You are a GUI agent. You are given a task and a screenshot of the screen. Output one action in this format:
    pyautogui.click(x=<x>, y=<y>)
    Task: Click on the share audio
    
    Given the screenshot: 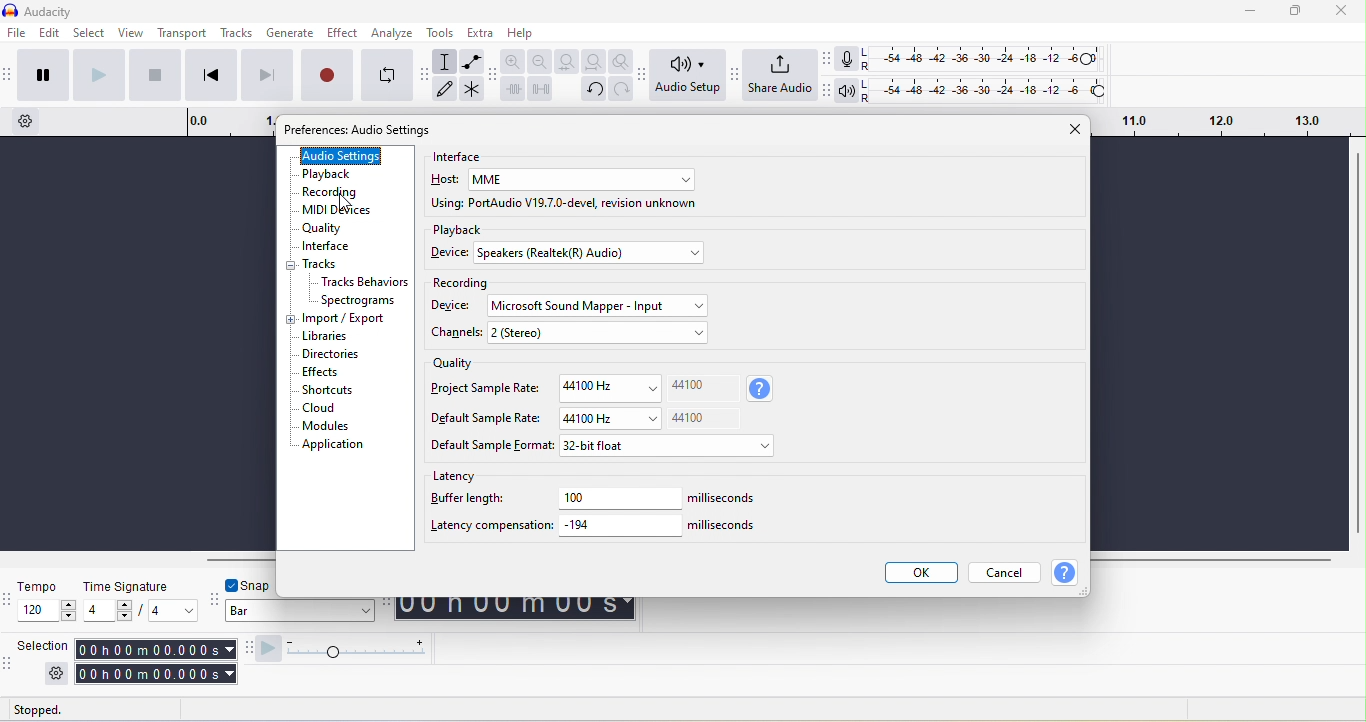 What is the action you would take?
    pyautogui.click(x=780, y=76)
    